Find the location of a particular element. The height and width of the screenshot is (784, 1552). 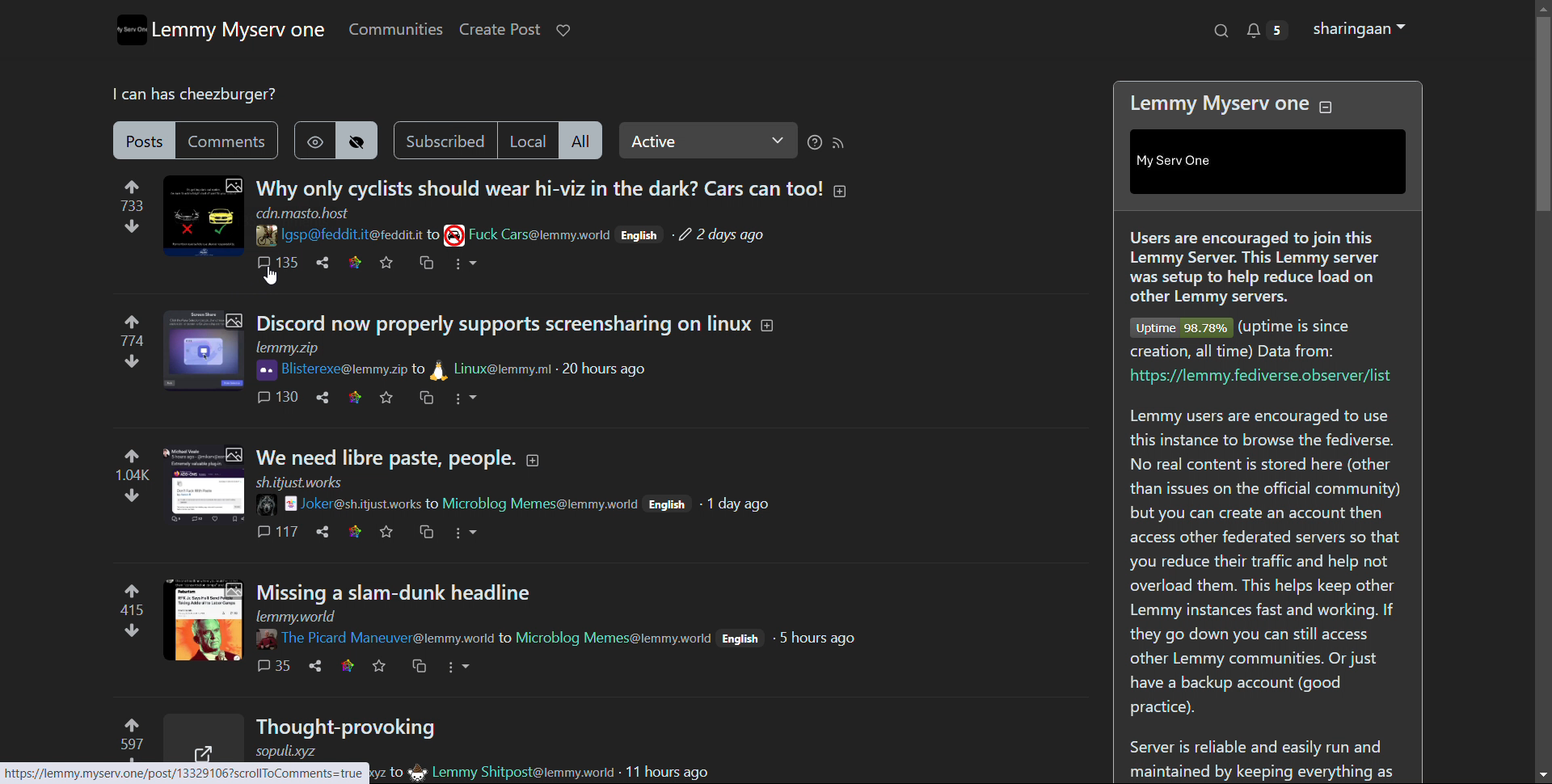

subscribed is located at coordinates (445, 140).